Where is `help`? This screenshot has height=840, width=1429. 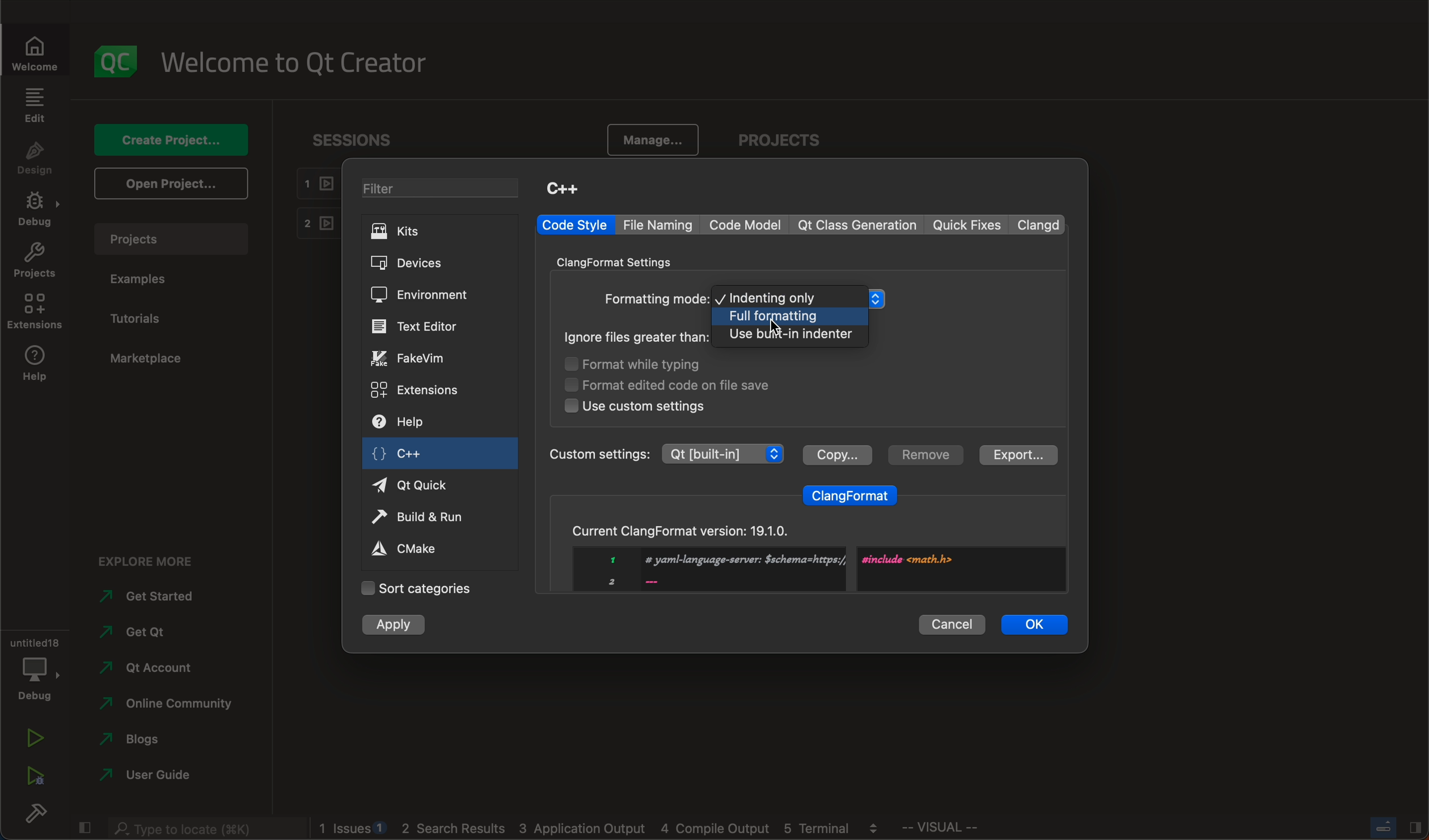 help is located at coordinates (413, 423).